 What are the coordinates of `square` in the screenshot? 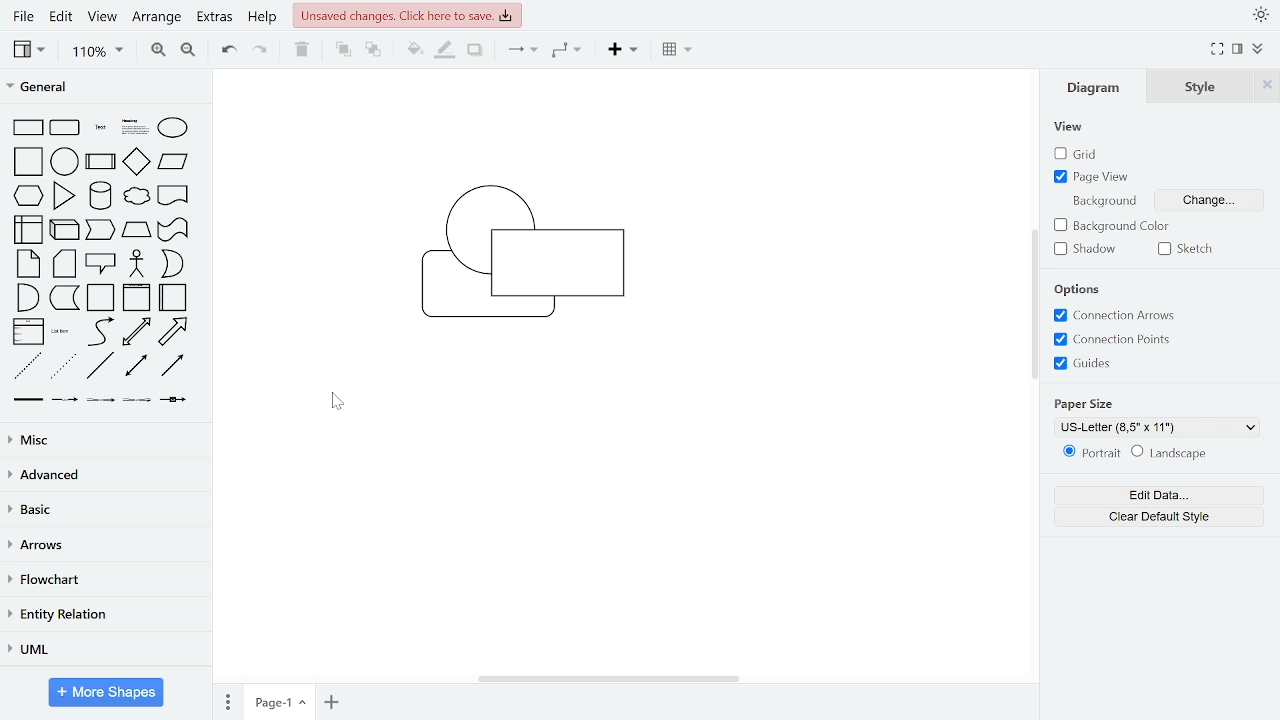 It's located at (30, 162).